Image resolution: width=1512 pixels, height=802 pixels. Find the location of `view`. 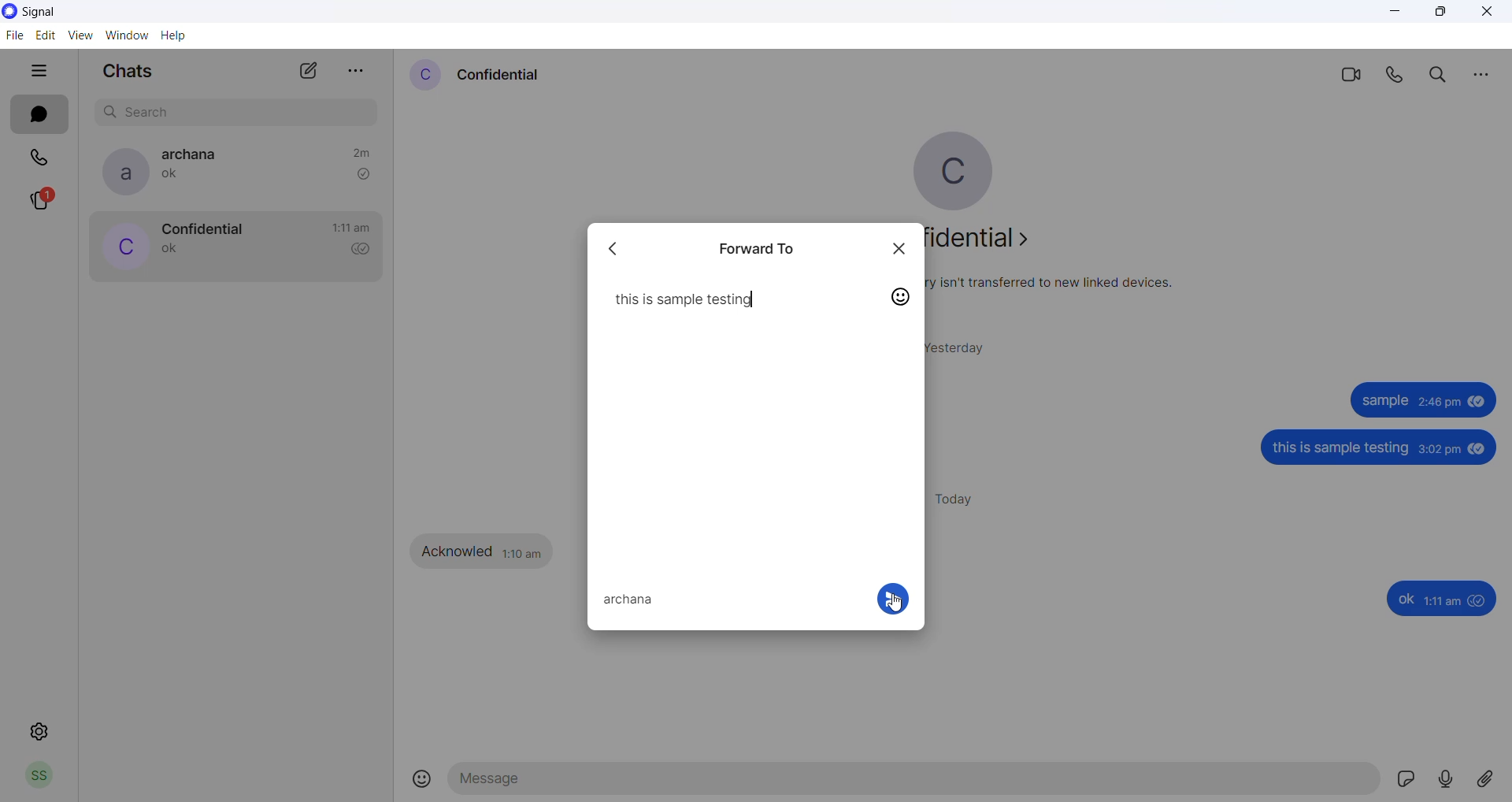

view is located at coordinates (82, 36).